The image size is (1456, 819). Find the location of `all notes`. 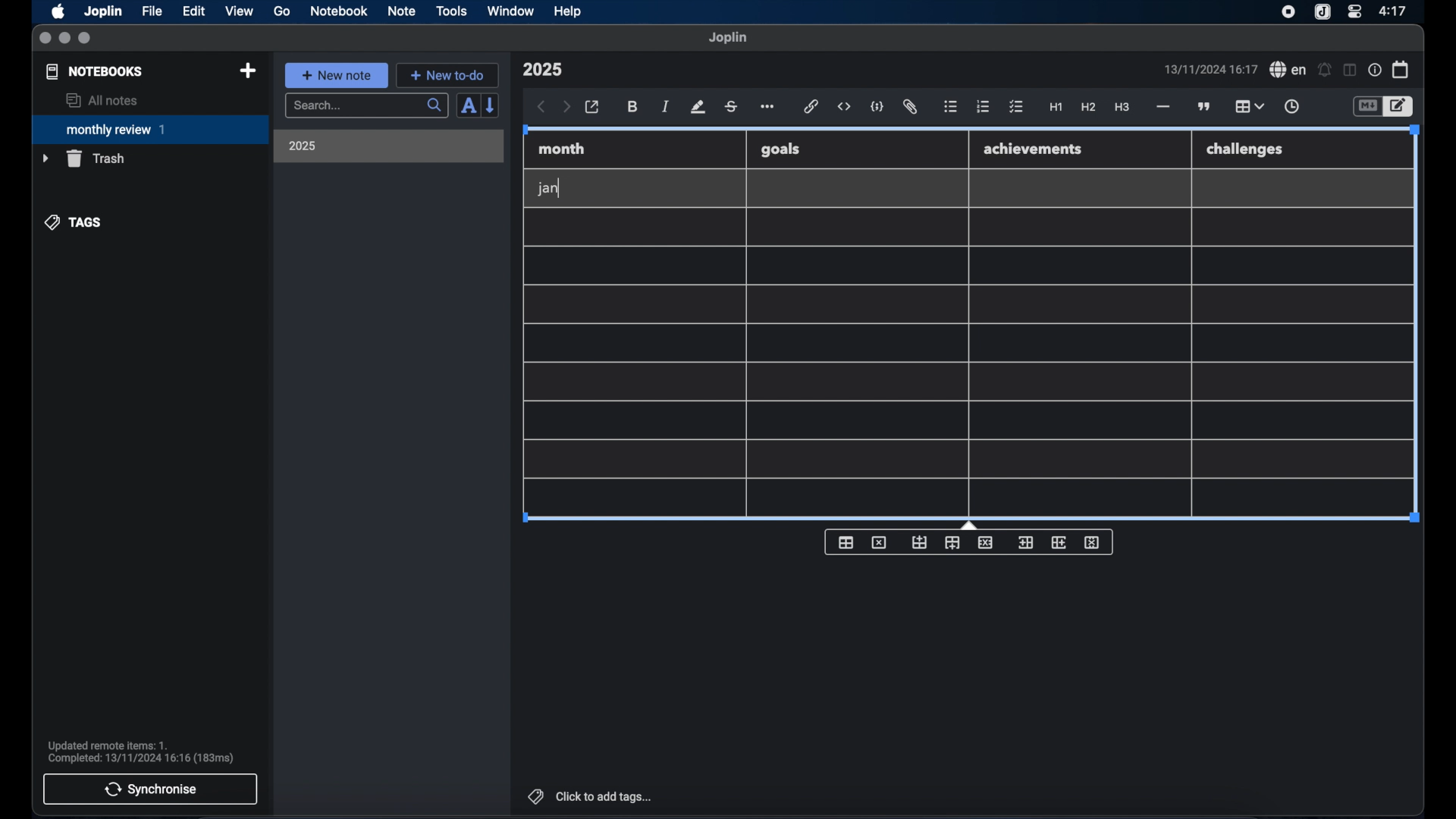

all notes is located at coordinates (102, 100).